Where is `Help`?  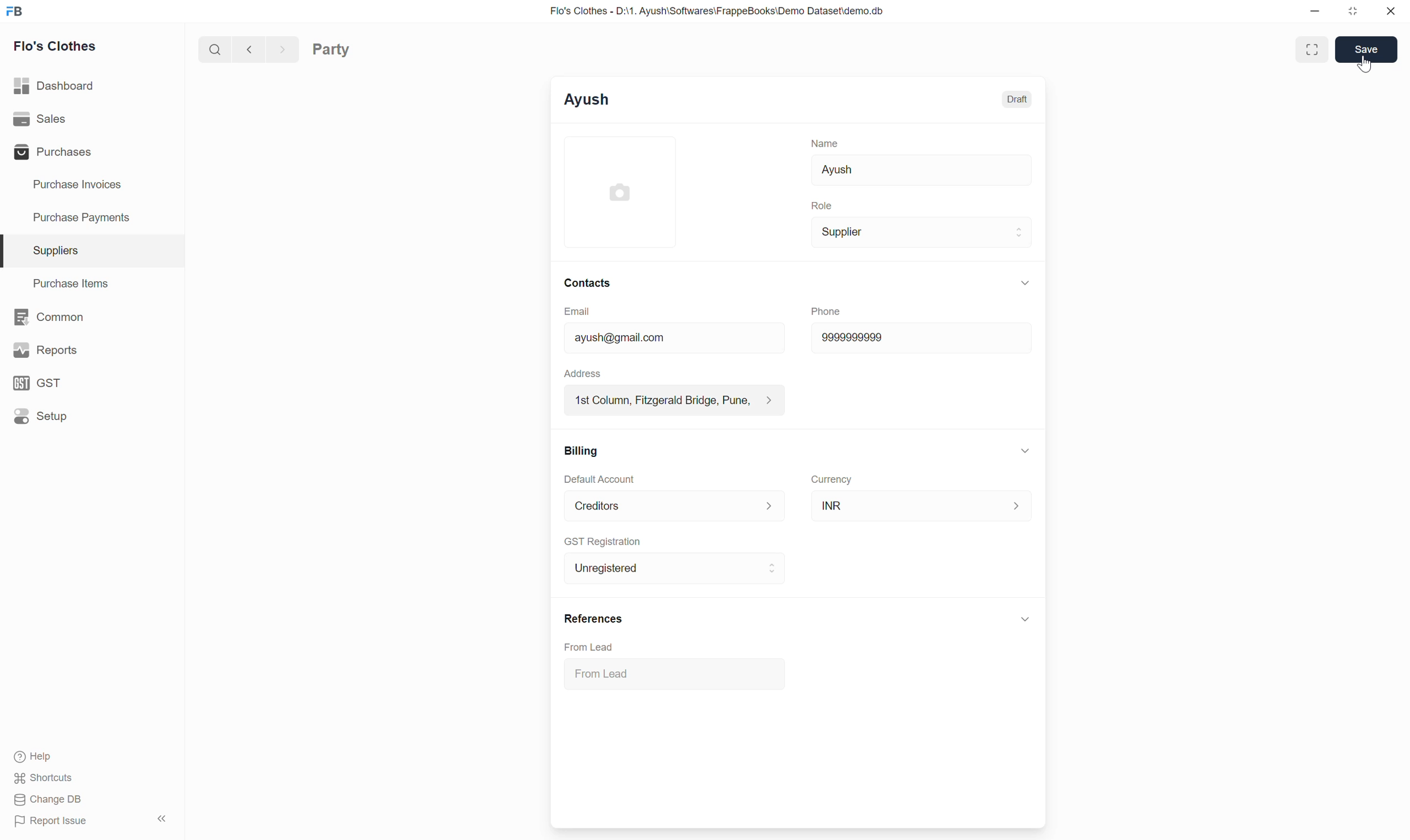 Help is located at coordinates (44, 757).